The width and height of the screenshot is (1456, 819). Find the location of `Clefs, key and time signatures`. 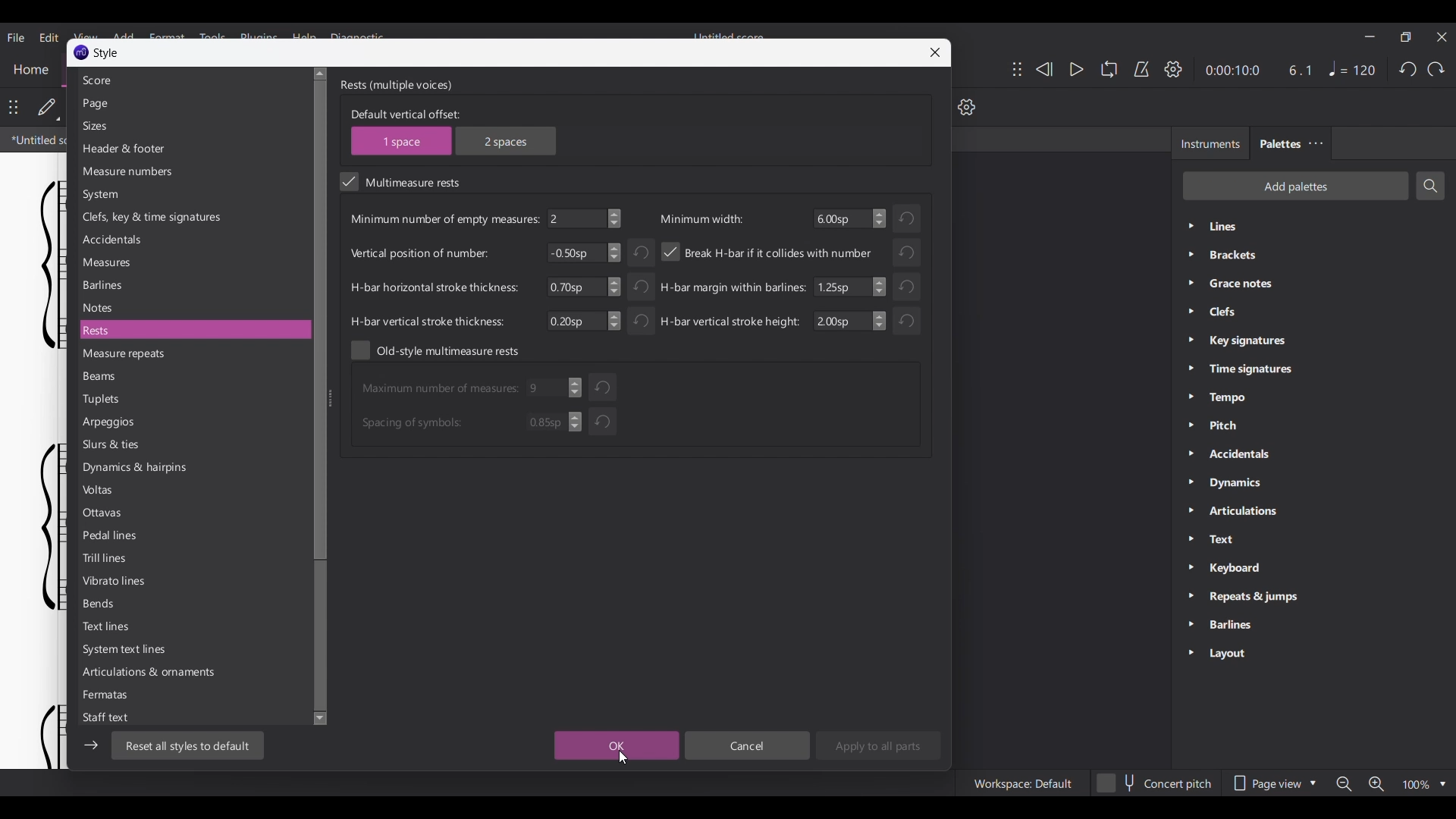

Clefs, key and time signatures is located at coordinates (193, 217).